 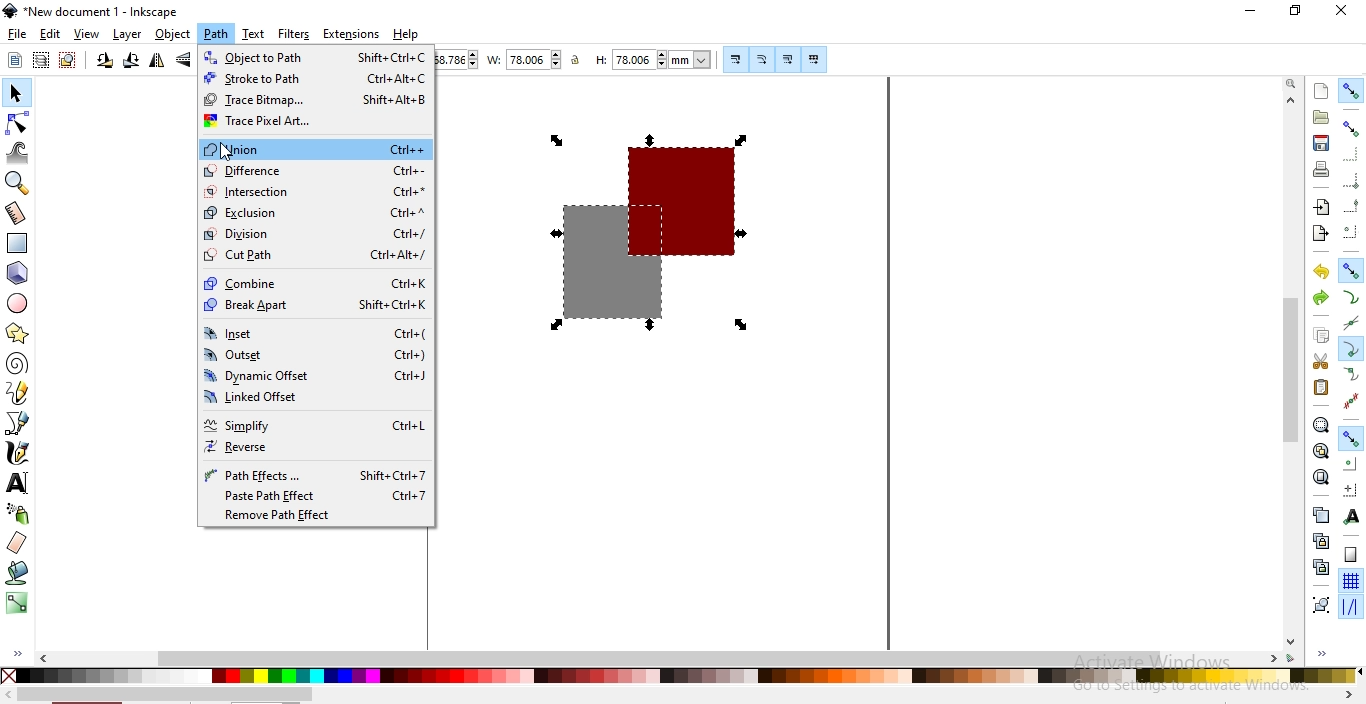 What do you see at coordinates (1320, 606) in the screenshot?
I see `group objects` at bounding box center [1320, 606].